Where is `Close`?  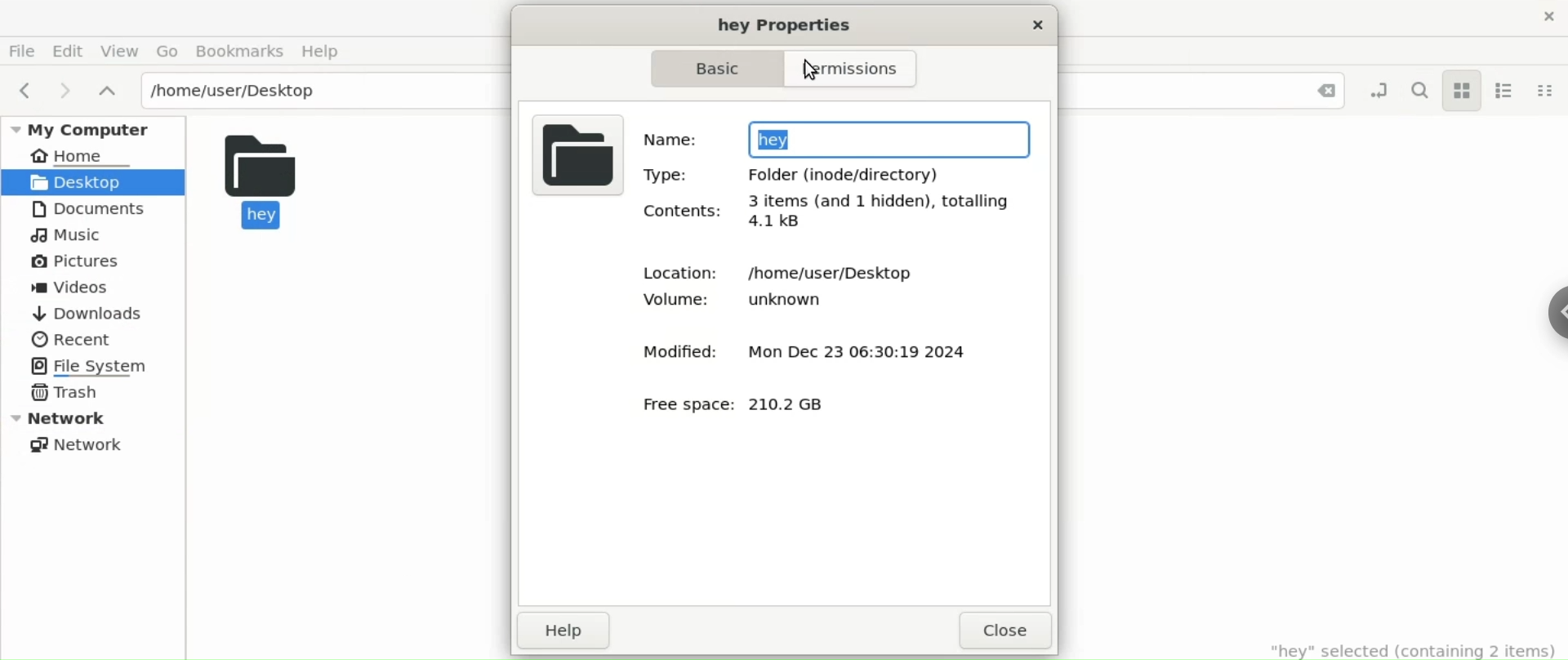
Close is located at coordinates (1535, 16).